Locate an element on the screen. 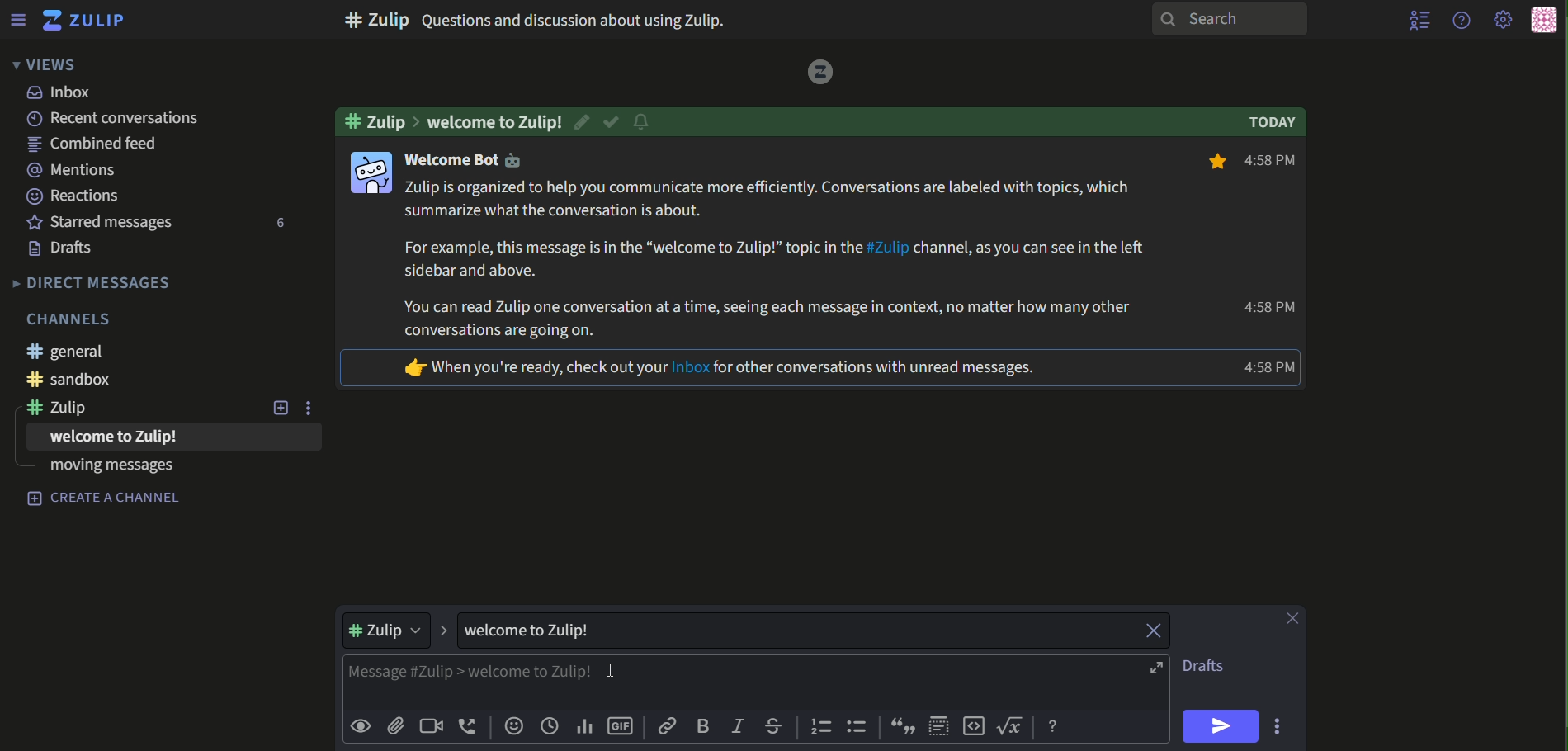  notification is located at coordinates (641, 124).